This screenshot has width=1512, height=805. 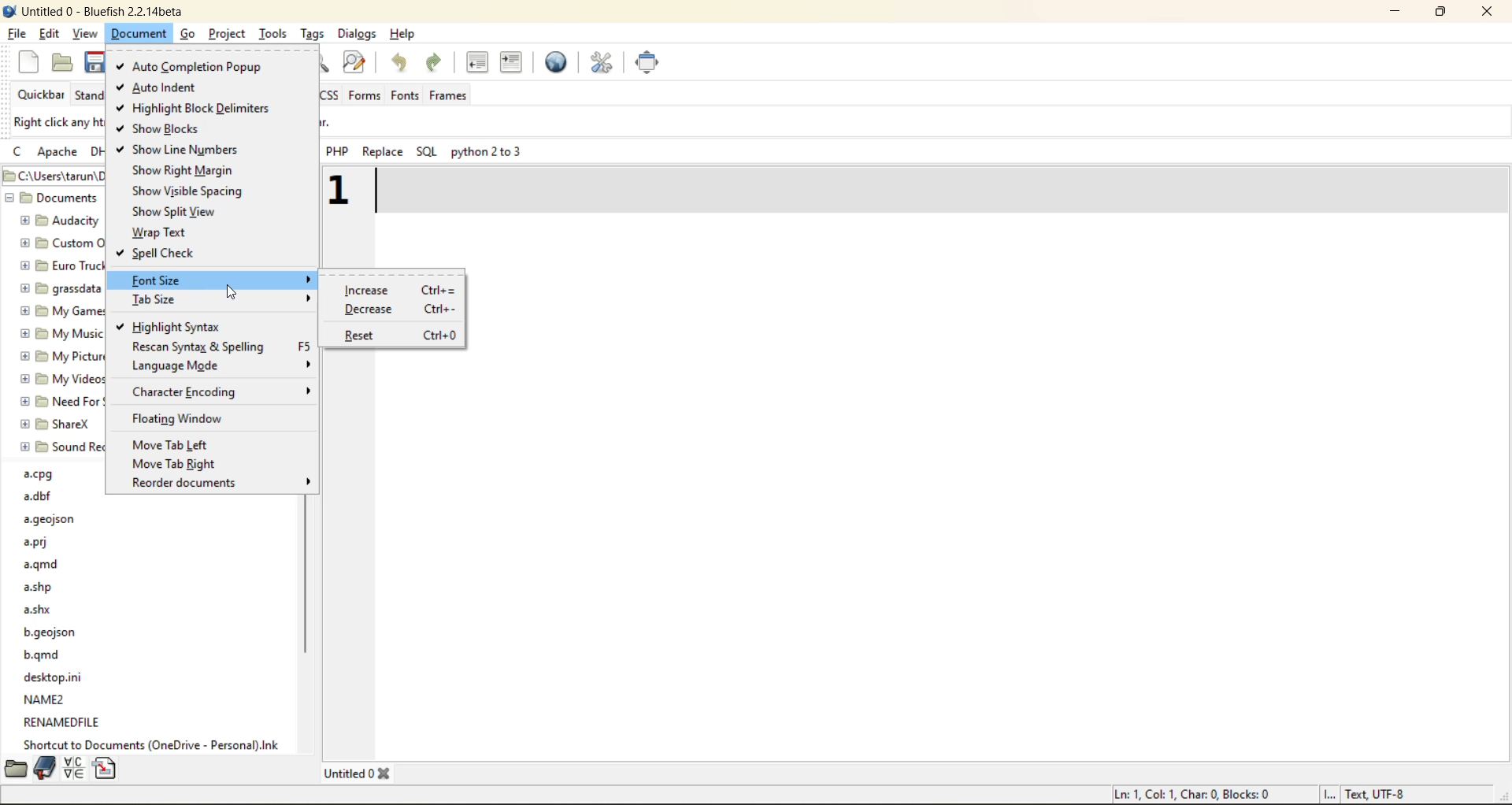 What do you see at coordinates (166, 302) in the screenshot?
I see `tab size` at bounding box center [166, 302].